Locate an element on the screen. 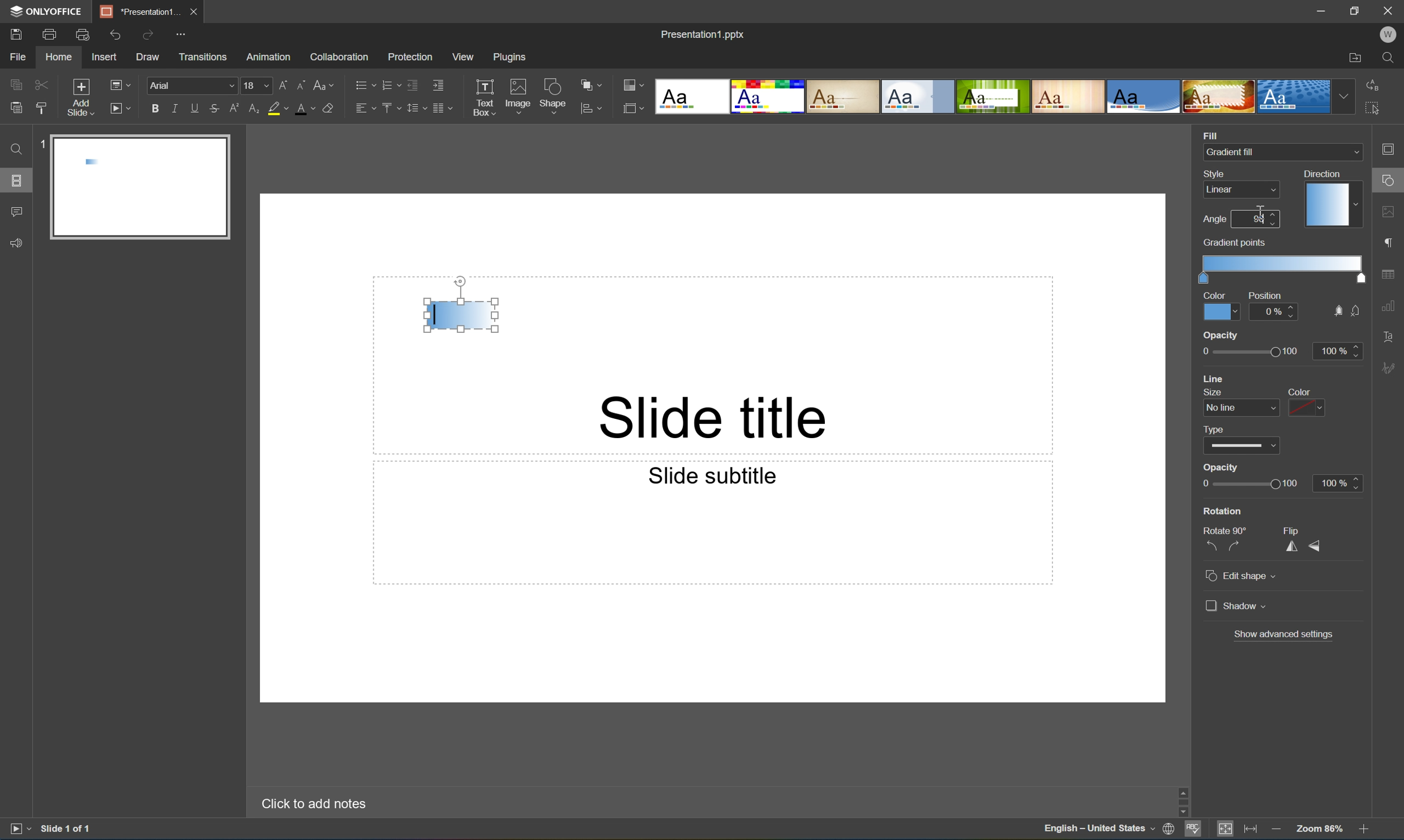  90 degrees is located at coordinates (1256, 218).